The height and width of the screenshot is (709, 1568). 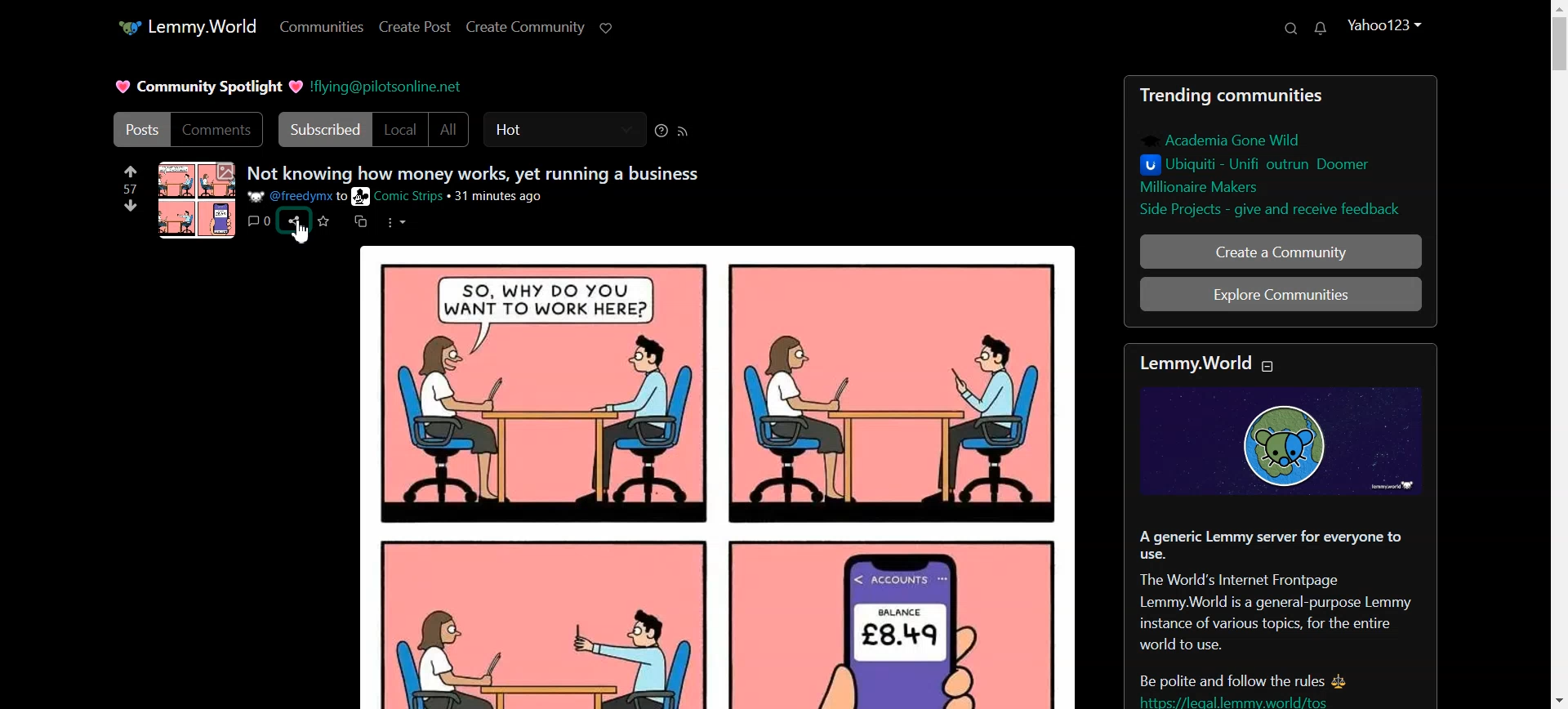 I want to click on Explore Community, so click(x=1280, y=294).